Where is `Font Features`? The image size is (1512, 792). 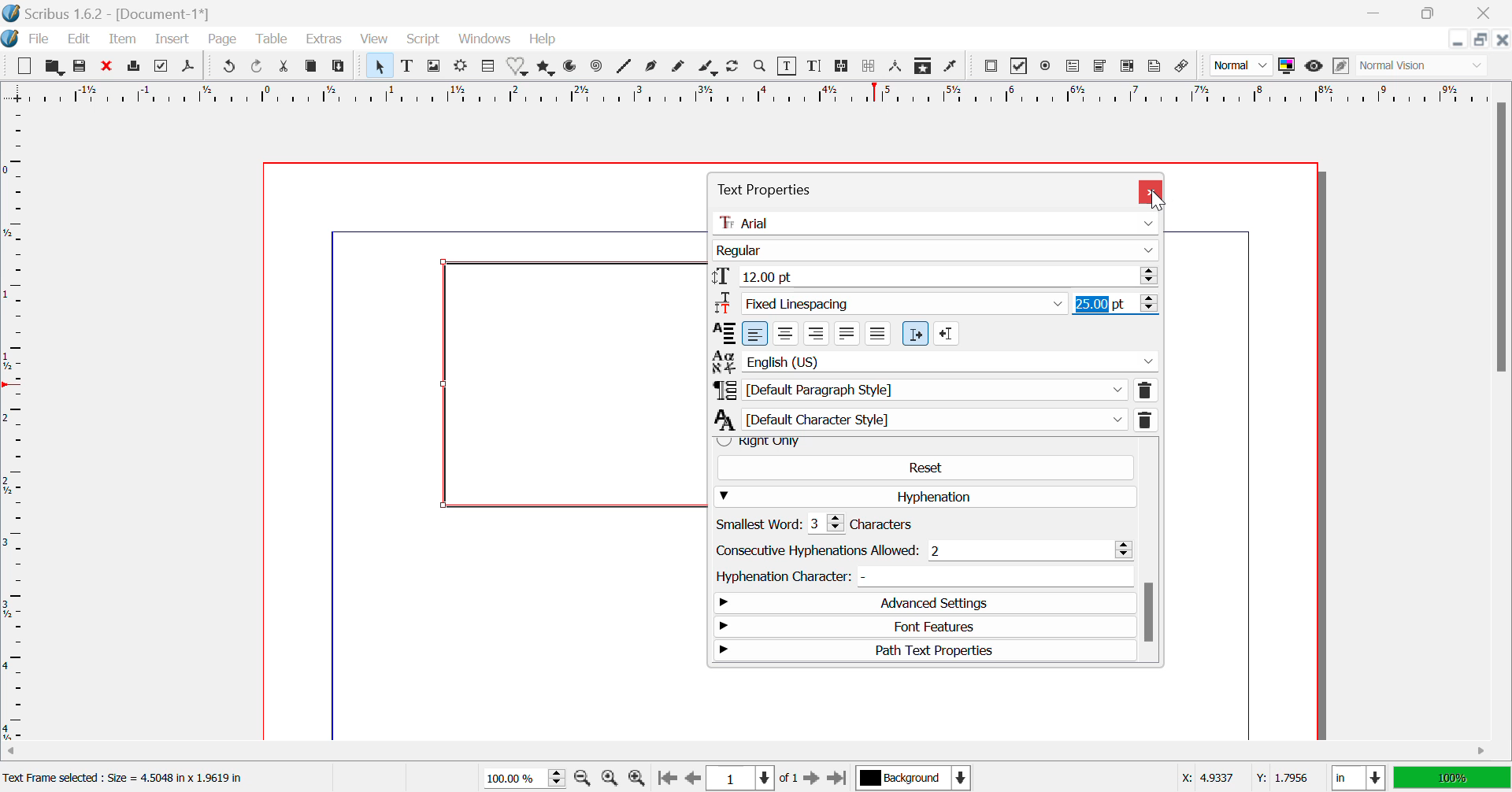
Font Features is located at coordinates (925, 628).